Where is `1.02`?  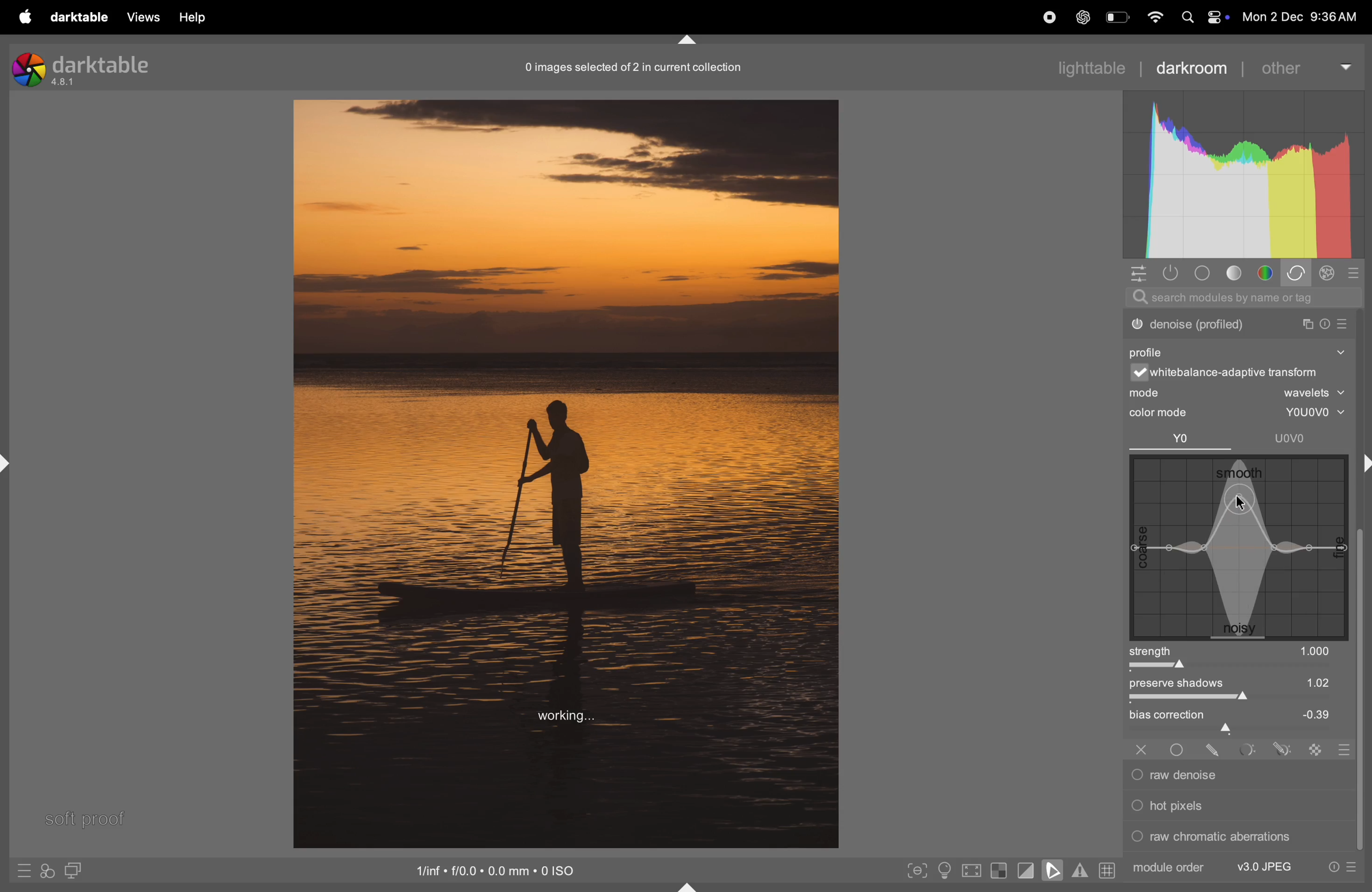
1.02 is located at coordinates (1301, 682).